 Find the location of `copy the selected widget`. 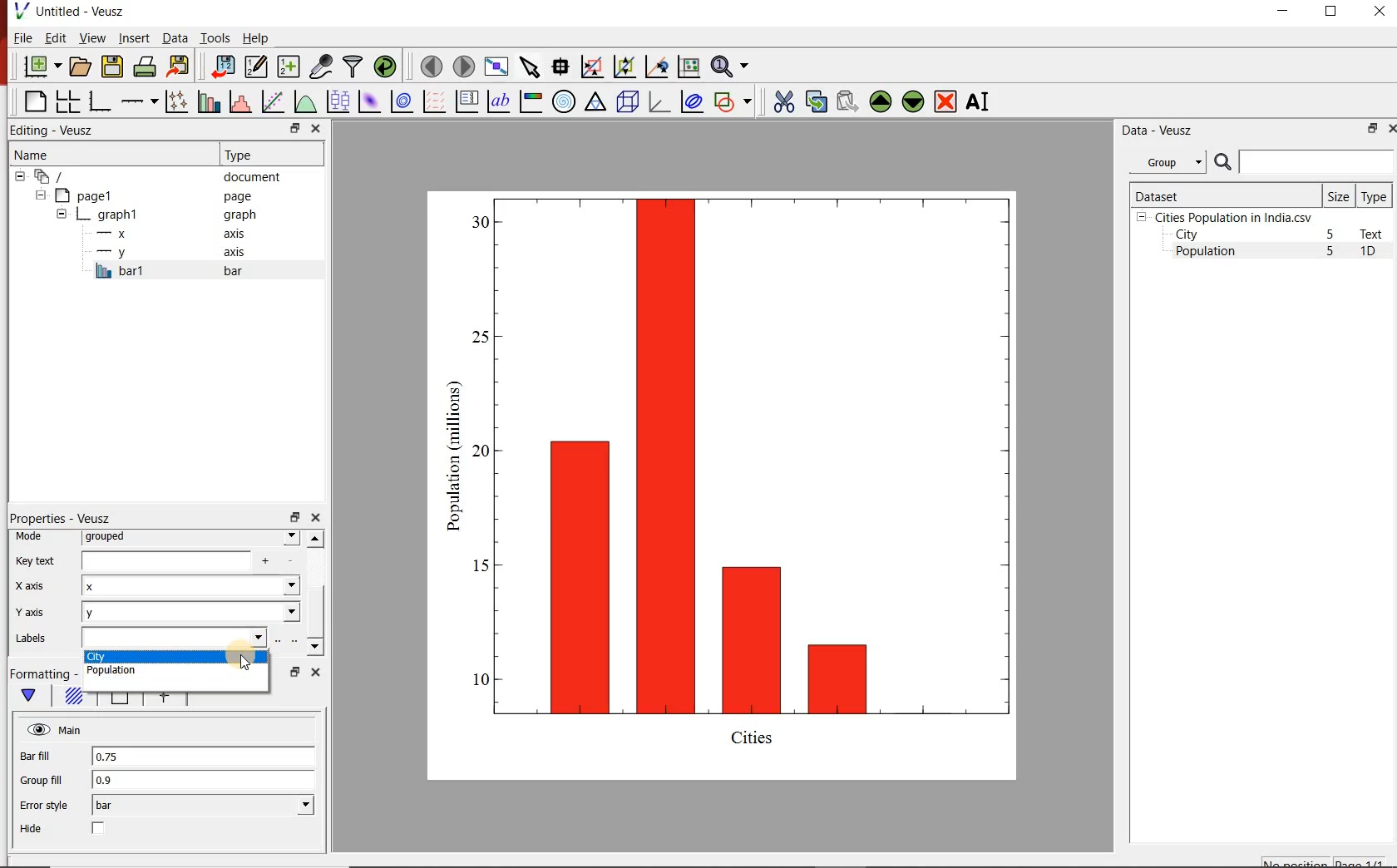

copy the selected widget is located at coordinates (815, 100).